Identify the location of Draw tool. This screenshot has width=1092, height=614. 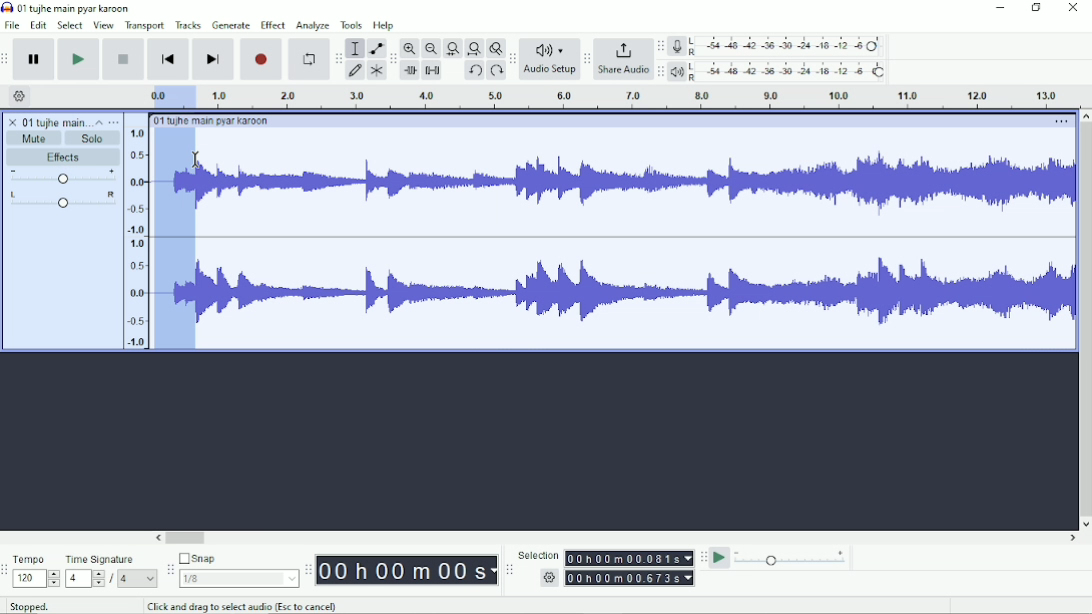
(356, 71).